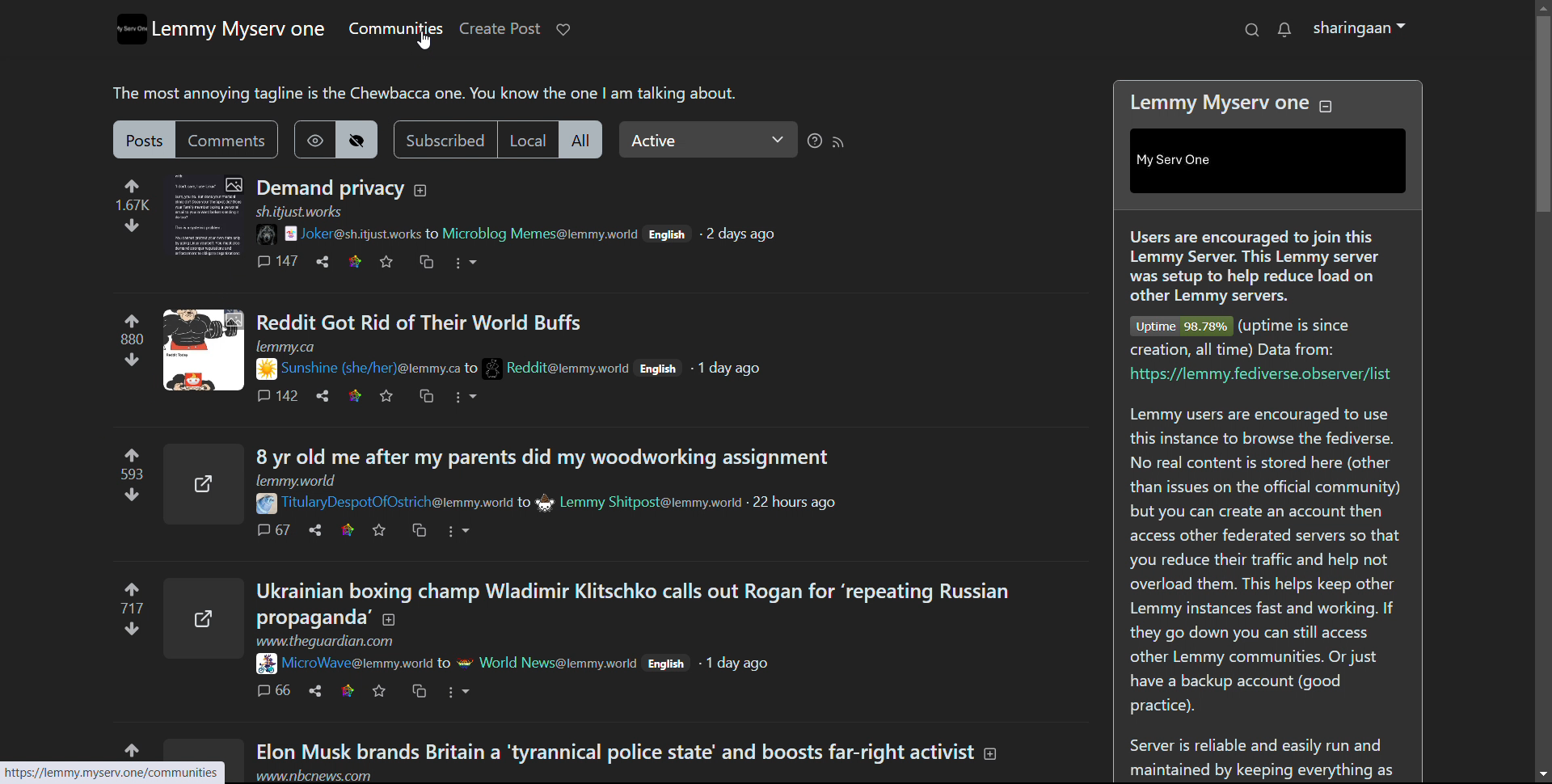 The height and width of the screenshot is (784, 1552). I want to click on poster image, so click(543, 502).